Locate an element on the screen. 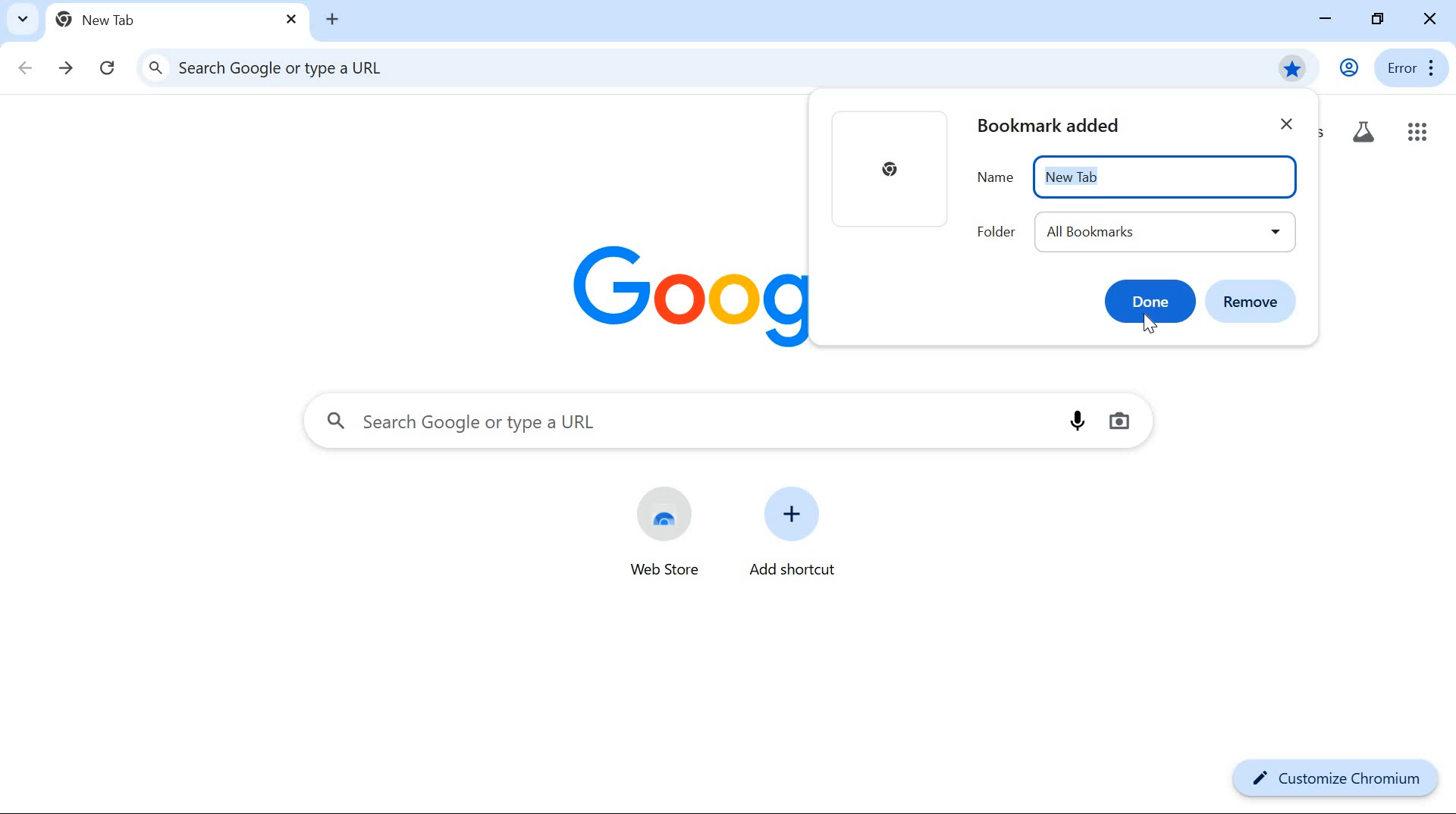  restore is located at coordinates (1380, 17).